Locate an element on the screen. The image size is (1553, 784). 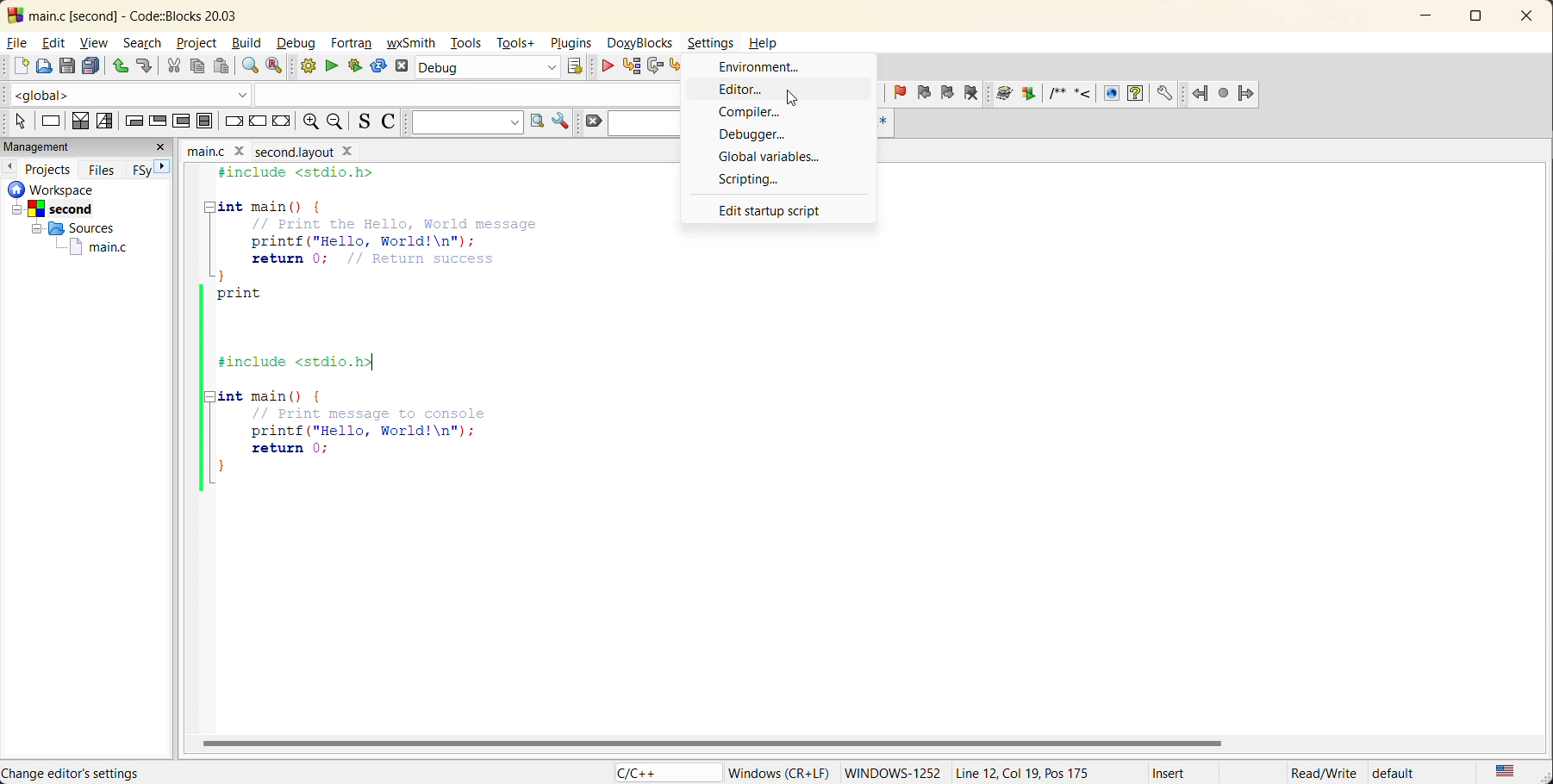
projects is located at coordinates (47, 170).